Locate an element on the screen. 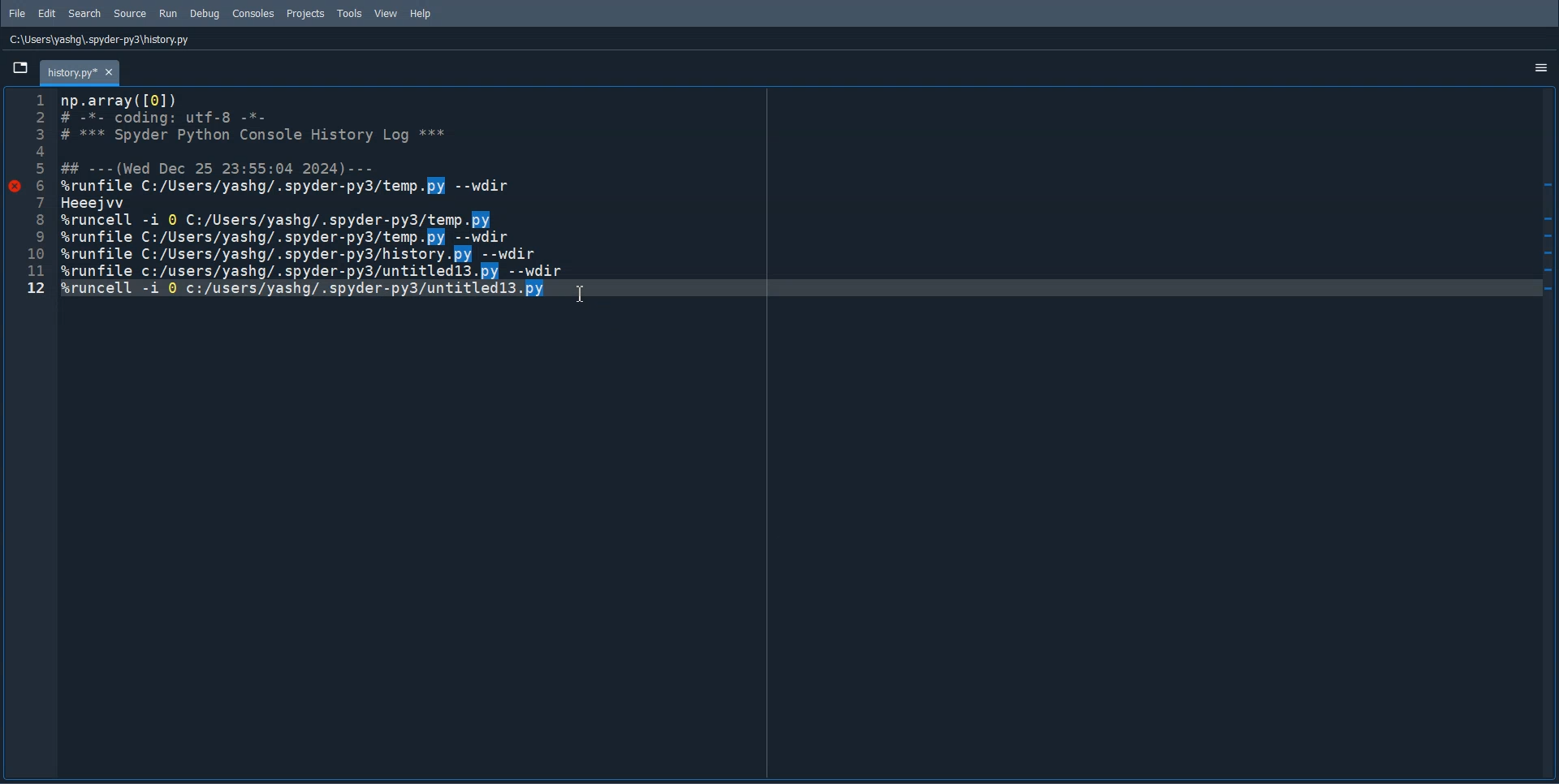 Image resolution: width=1559 pixels, height=784 pixels. Coding information is located at coordinates (312, 196).